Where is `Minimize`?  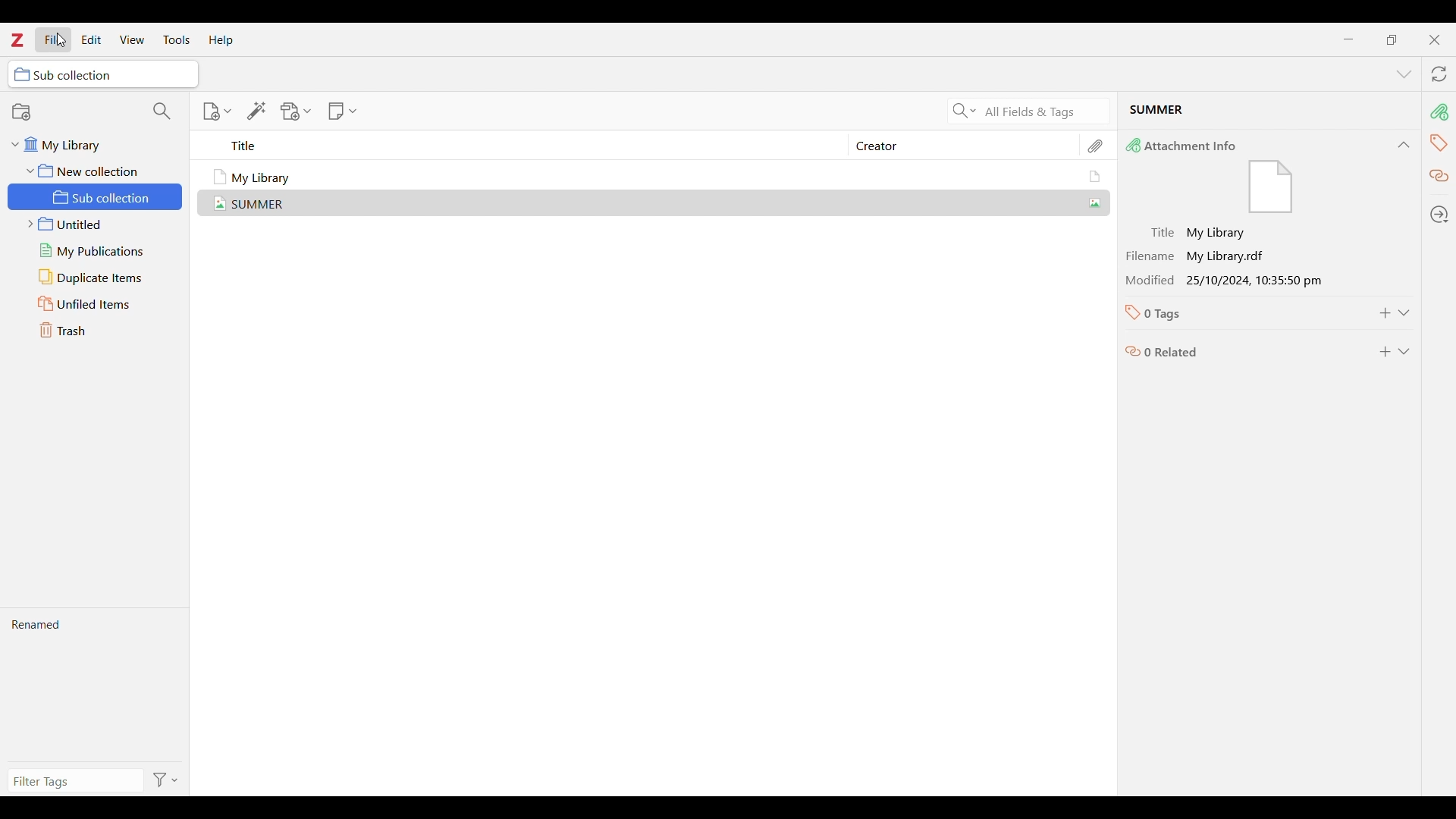
Minimize is located at coordinates (1348, 39).